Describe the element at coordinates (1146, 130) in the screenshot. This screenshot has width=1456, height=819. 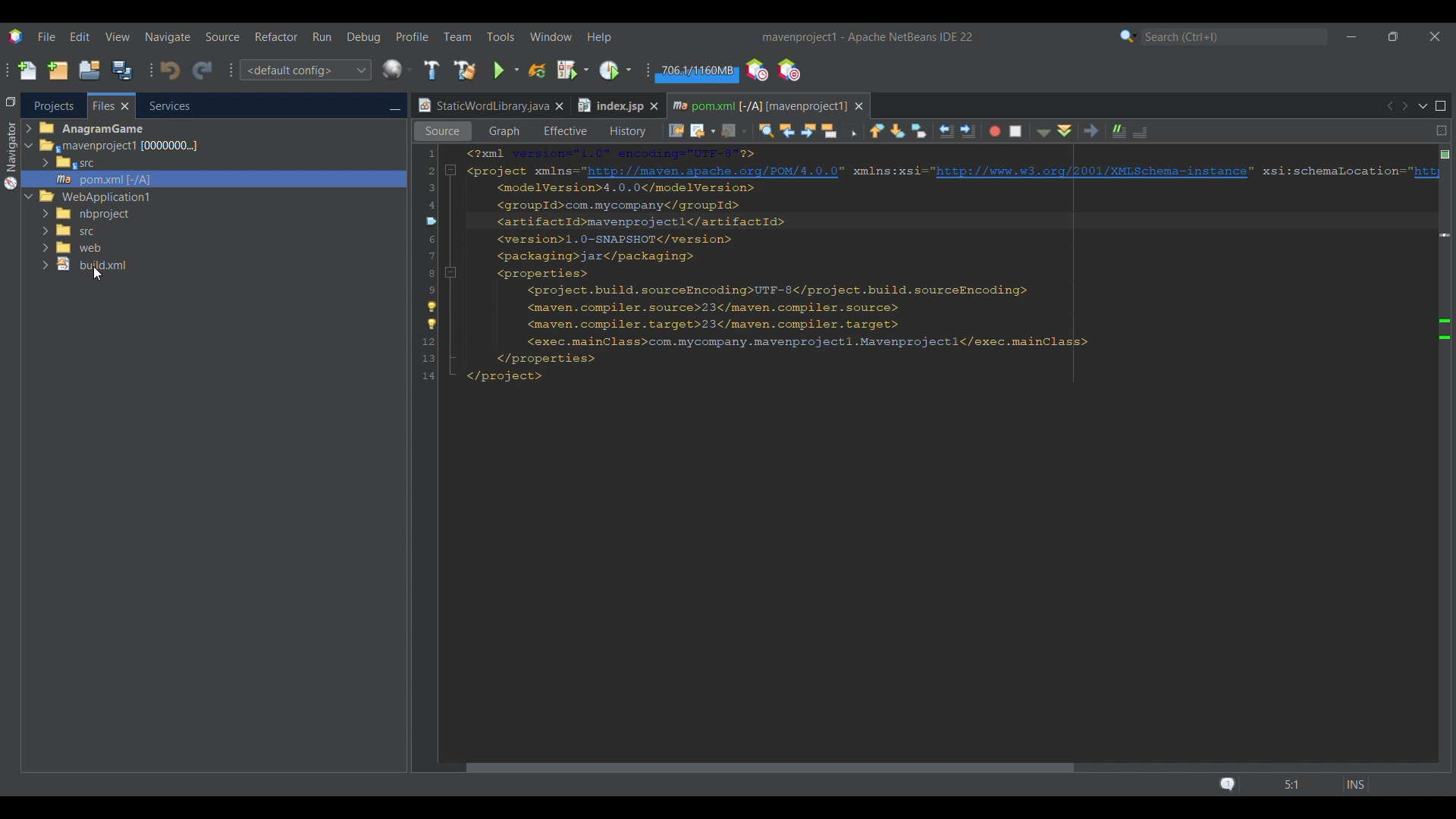
I see `Uncomment` at that location.